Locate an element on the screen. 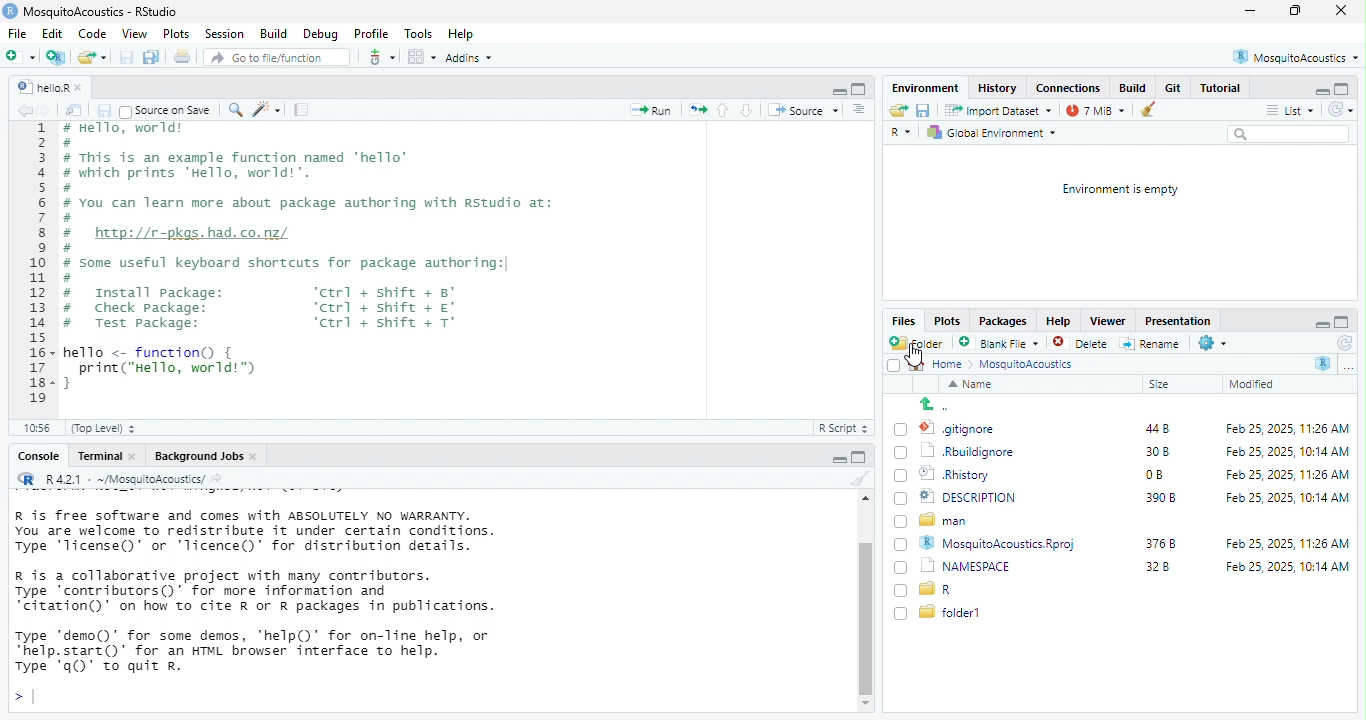 This screenshot has width=1366, height=720. option is located at coordinates (1353, 369).